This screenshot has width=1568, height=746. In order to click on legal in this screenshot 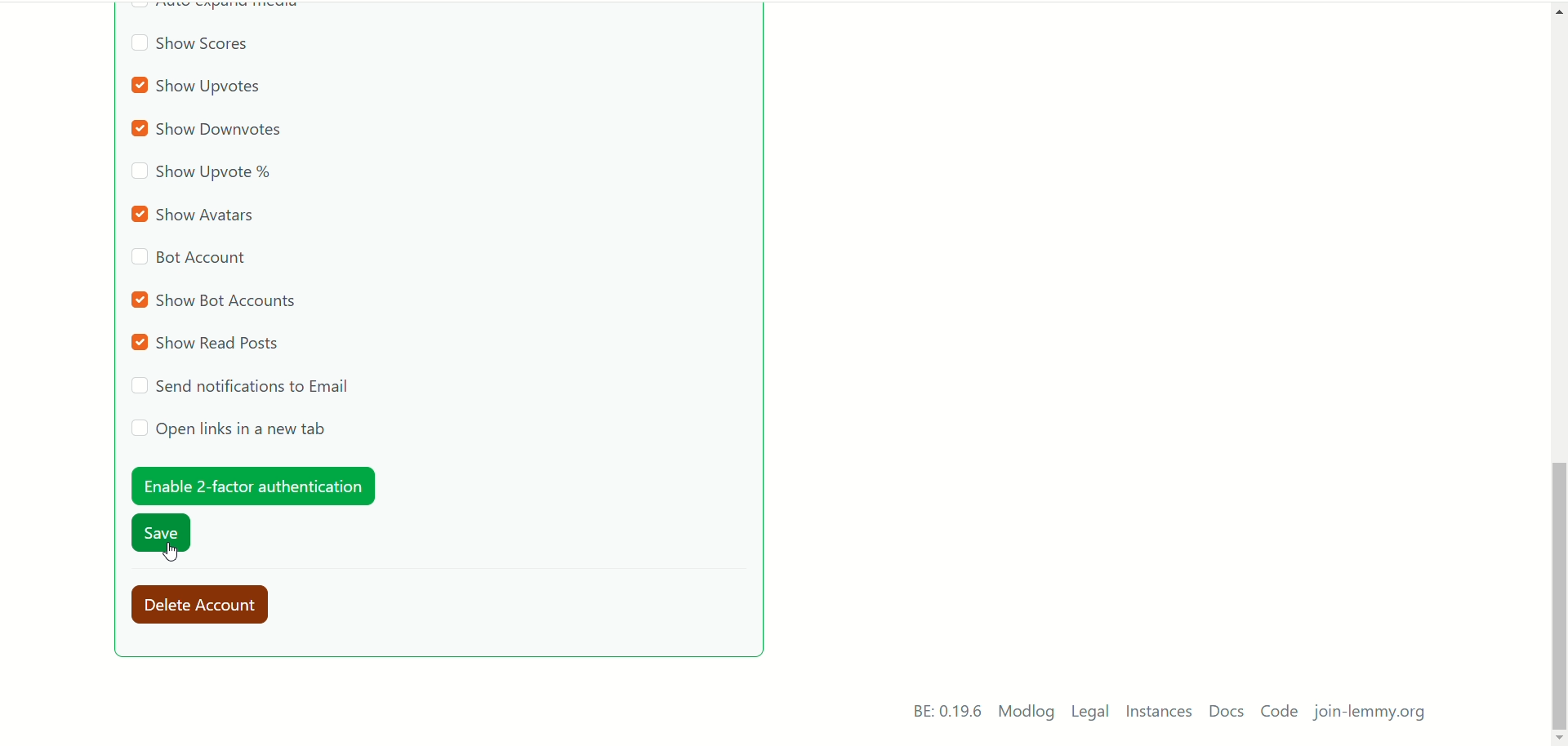, I will do `click(1091, 714)`.